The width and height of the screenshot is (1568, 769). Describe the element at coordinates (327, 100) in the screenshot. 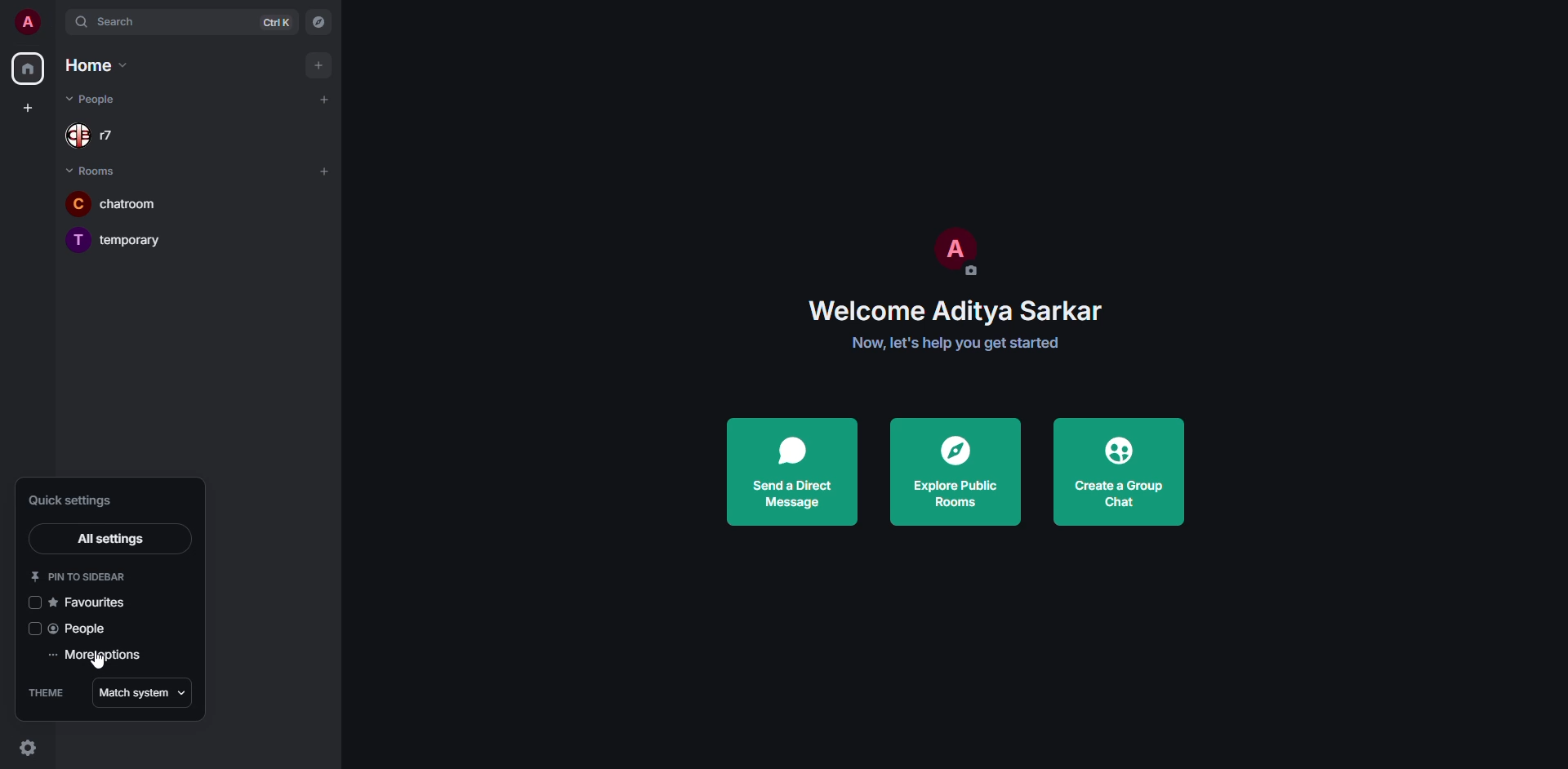

I see `add` at that location.